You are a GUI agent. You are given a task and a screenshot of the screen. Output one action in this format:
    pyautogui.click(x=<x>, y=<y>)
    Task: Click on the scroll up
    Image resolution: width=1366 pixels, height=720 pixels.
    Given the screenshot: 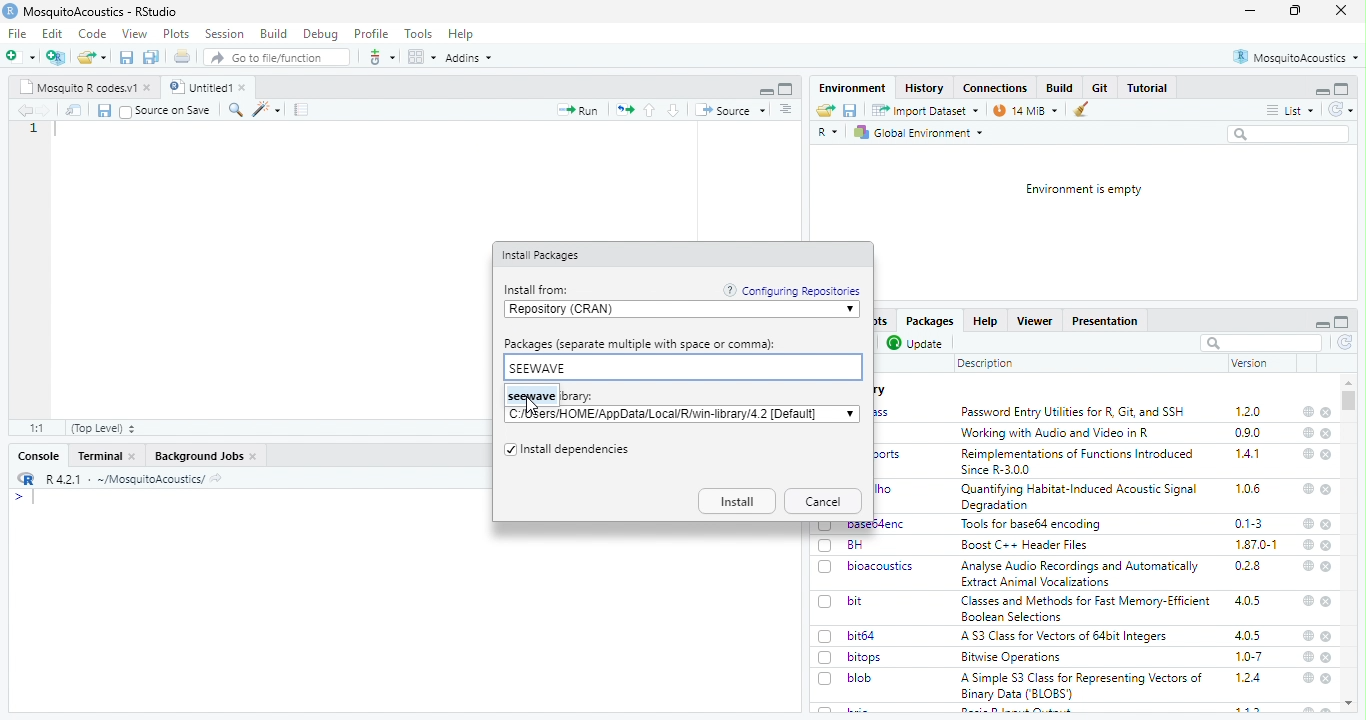 What is the action you would take?
    pyautogui.click(x=1349, y=383)
    